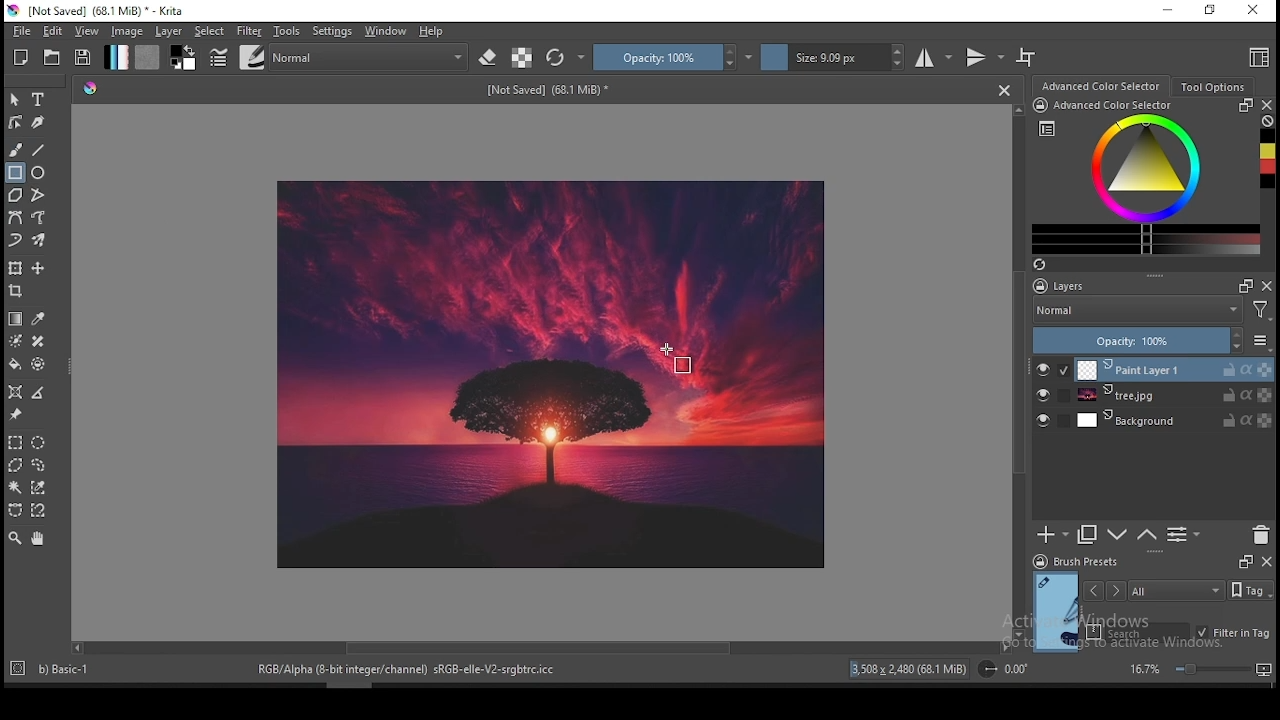  What do you see at coordinates (251, 57) in the screenshot?
I see `brushes` at bounding box center [251, 57].